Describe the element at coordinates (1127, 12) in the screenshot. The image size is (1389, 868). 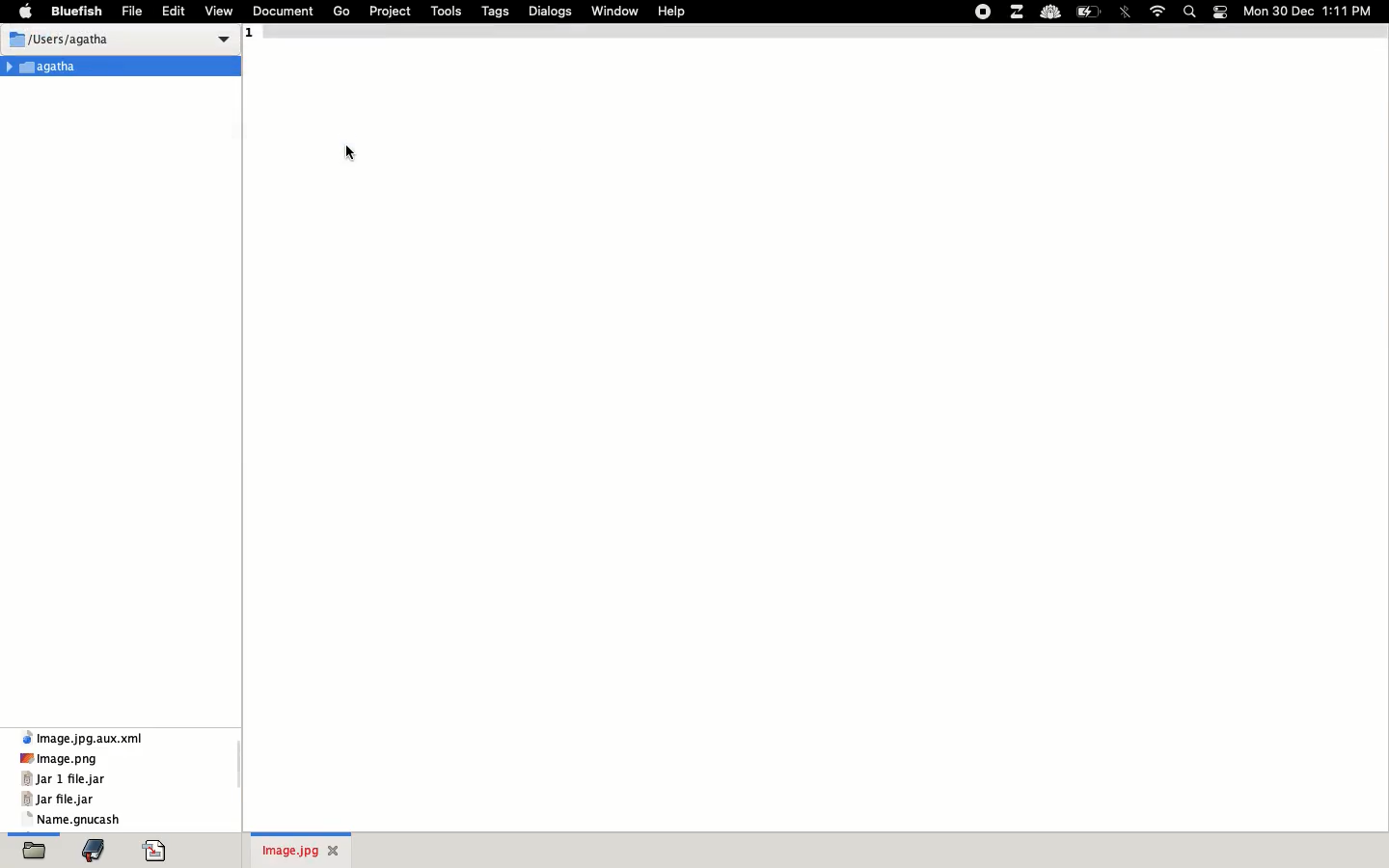
I see `bluetooth` at that location.